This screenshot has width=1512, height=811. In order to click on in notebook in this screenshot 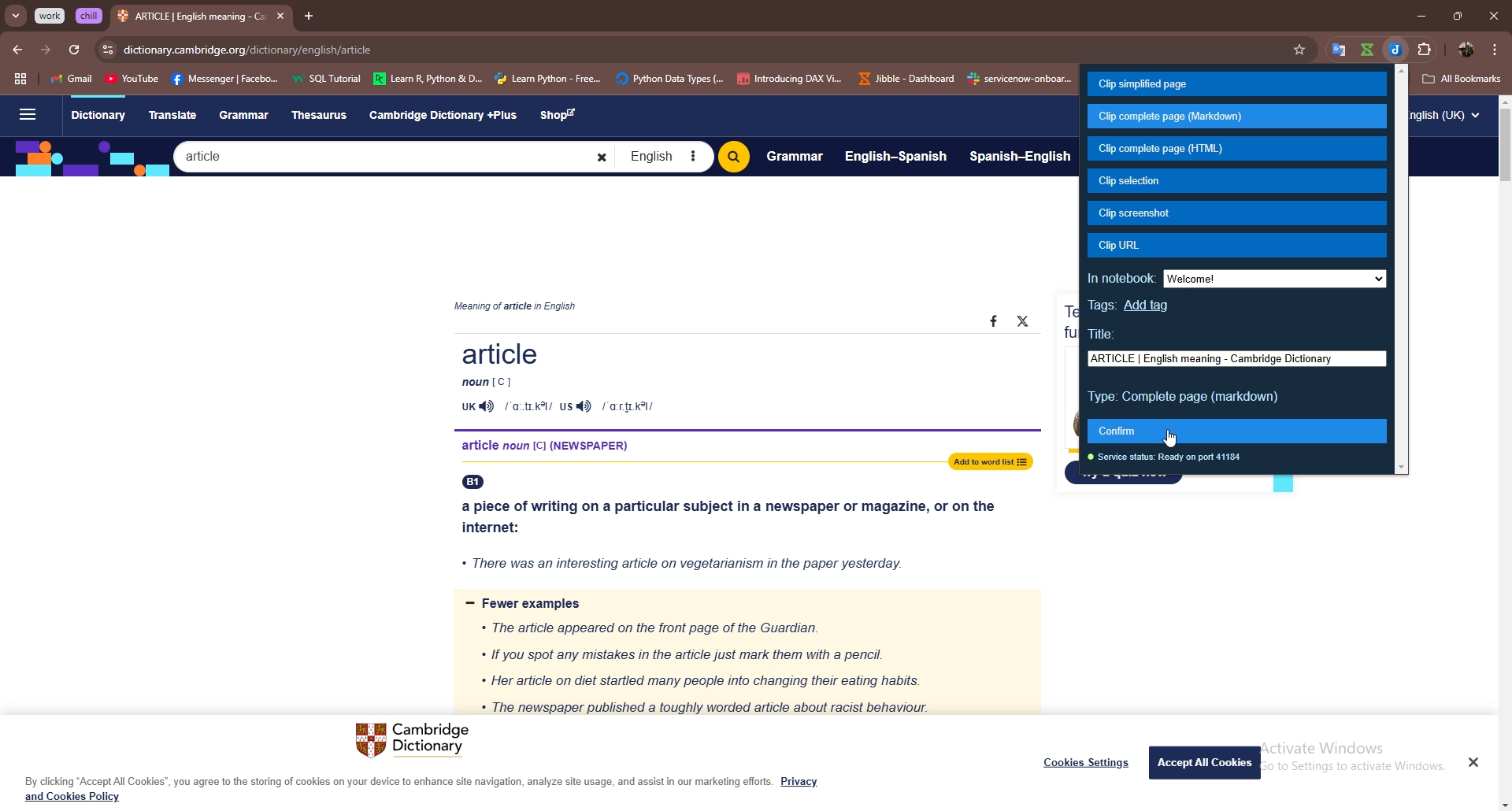, I will do `click(1235, 278)`.